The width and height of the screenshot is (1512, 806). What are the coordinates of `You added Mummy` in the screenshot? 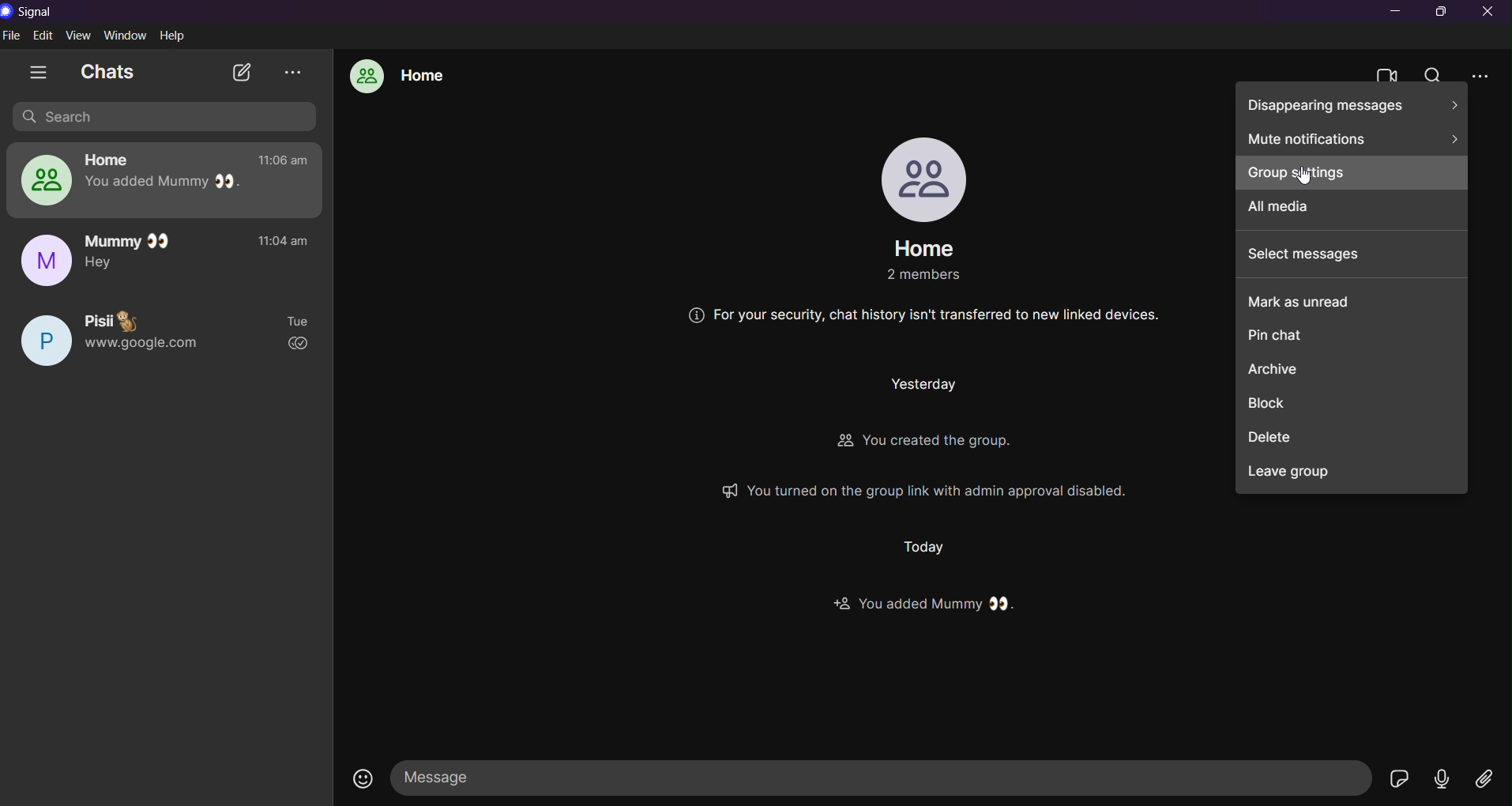 It's located at (932, 602).